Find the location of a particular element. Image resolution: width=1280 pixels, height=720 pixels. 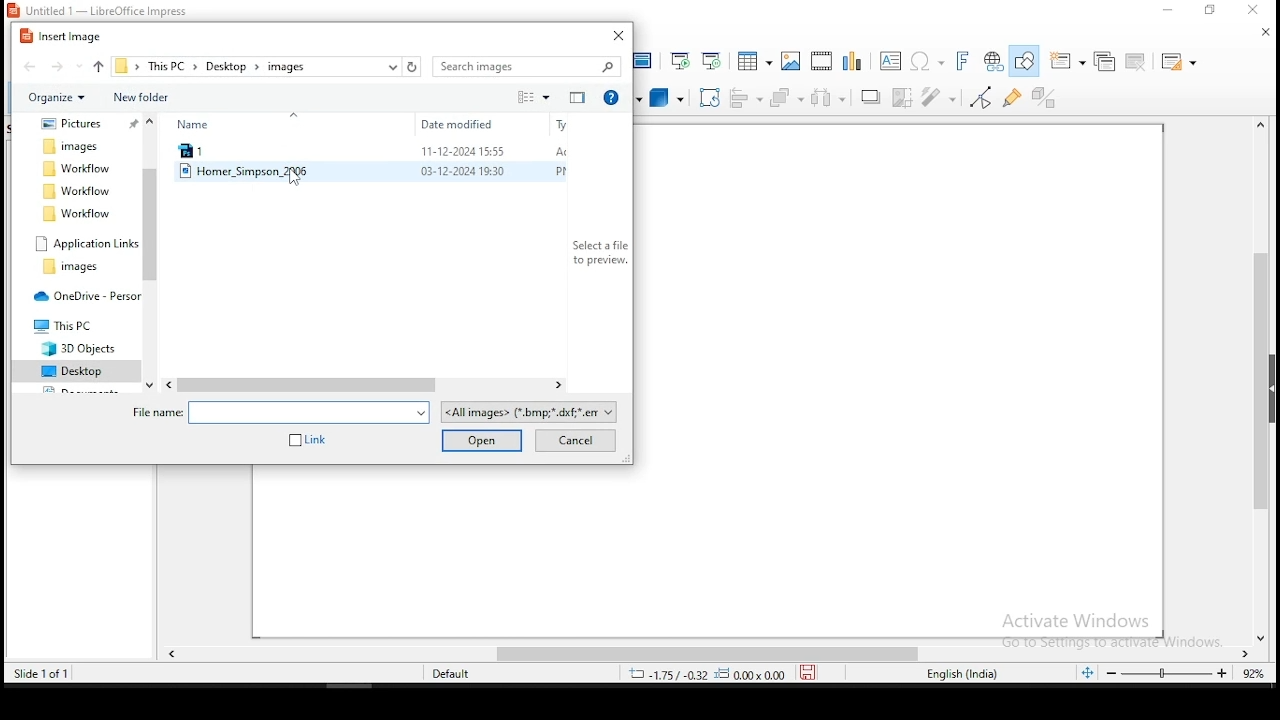

distribute is located at coordinates (825, 98).